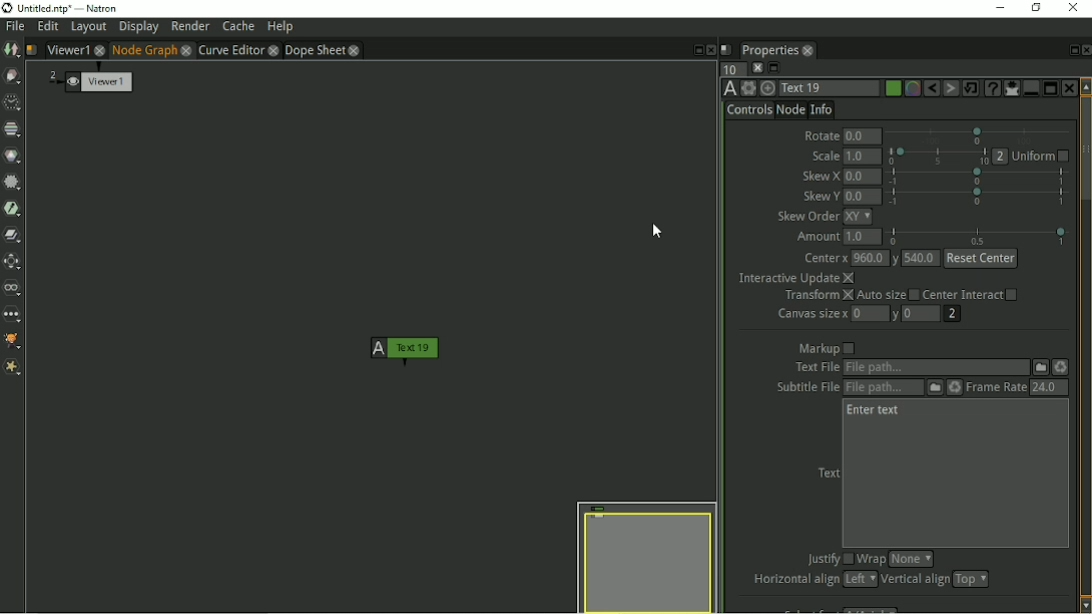  Describe the element at coordinates (98, 81) in the screenshot. I see `Viewer 1` at that location.